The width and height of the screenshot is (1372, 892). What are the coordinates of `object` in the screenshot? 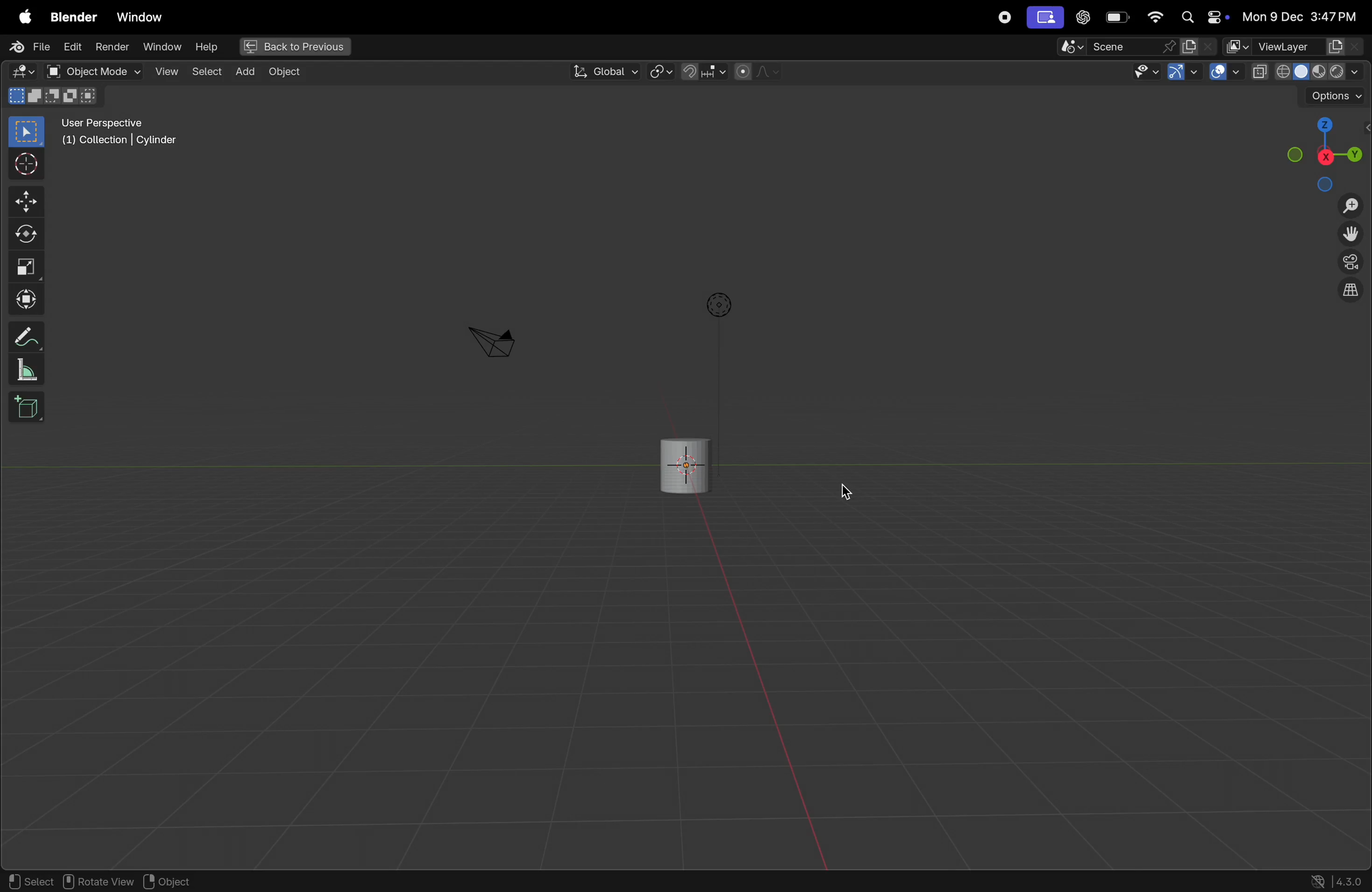 It's located at (178, 881).